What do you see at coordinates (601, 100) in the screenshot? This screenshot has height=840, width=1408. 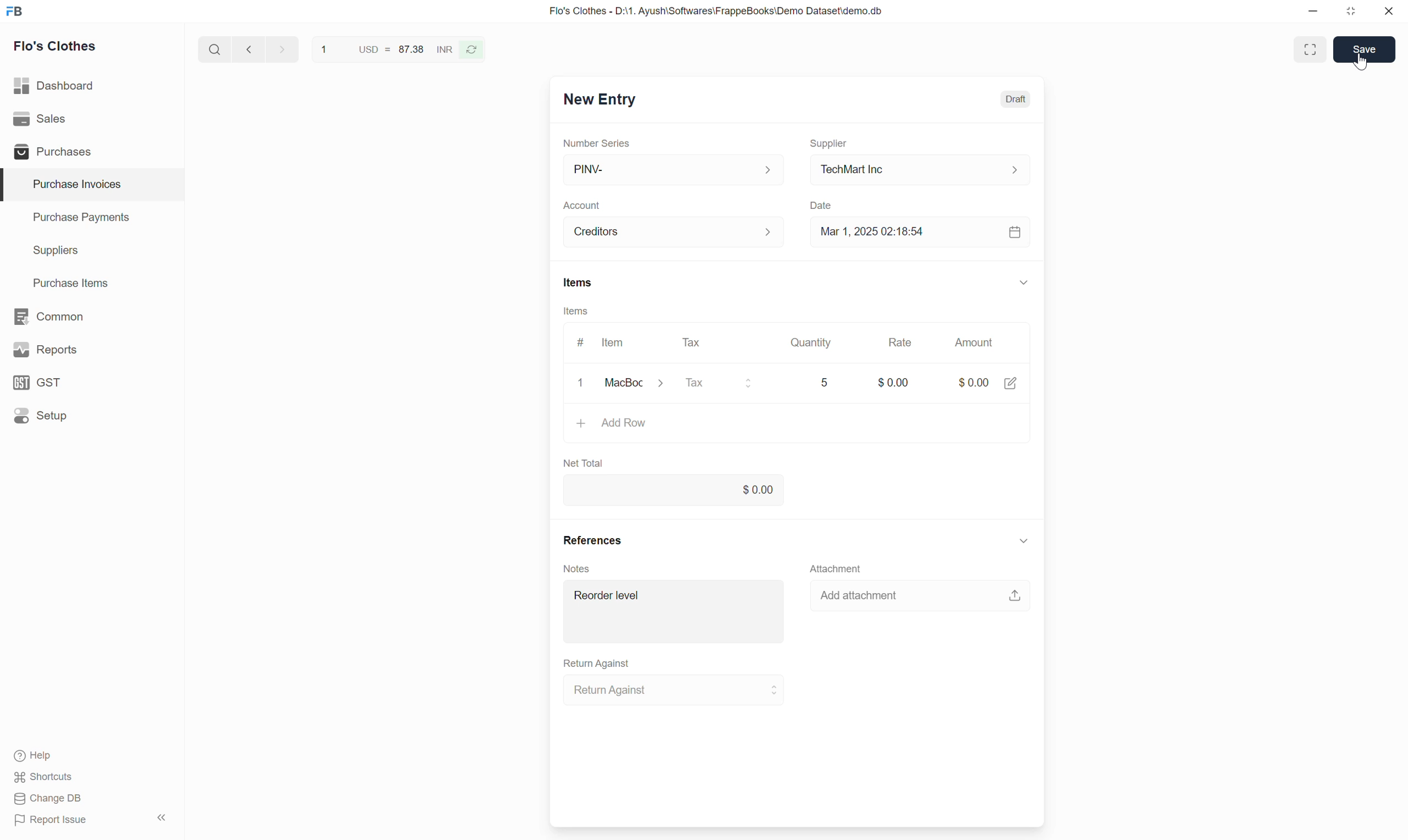 I see `New Entry` at bounding box center [601, 100].